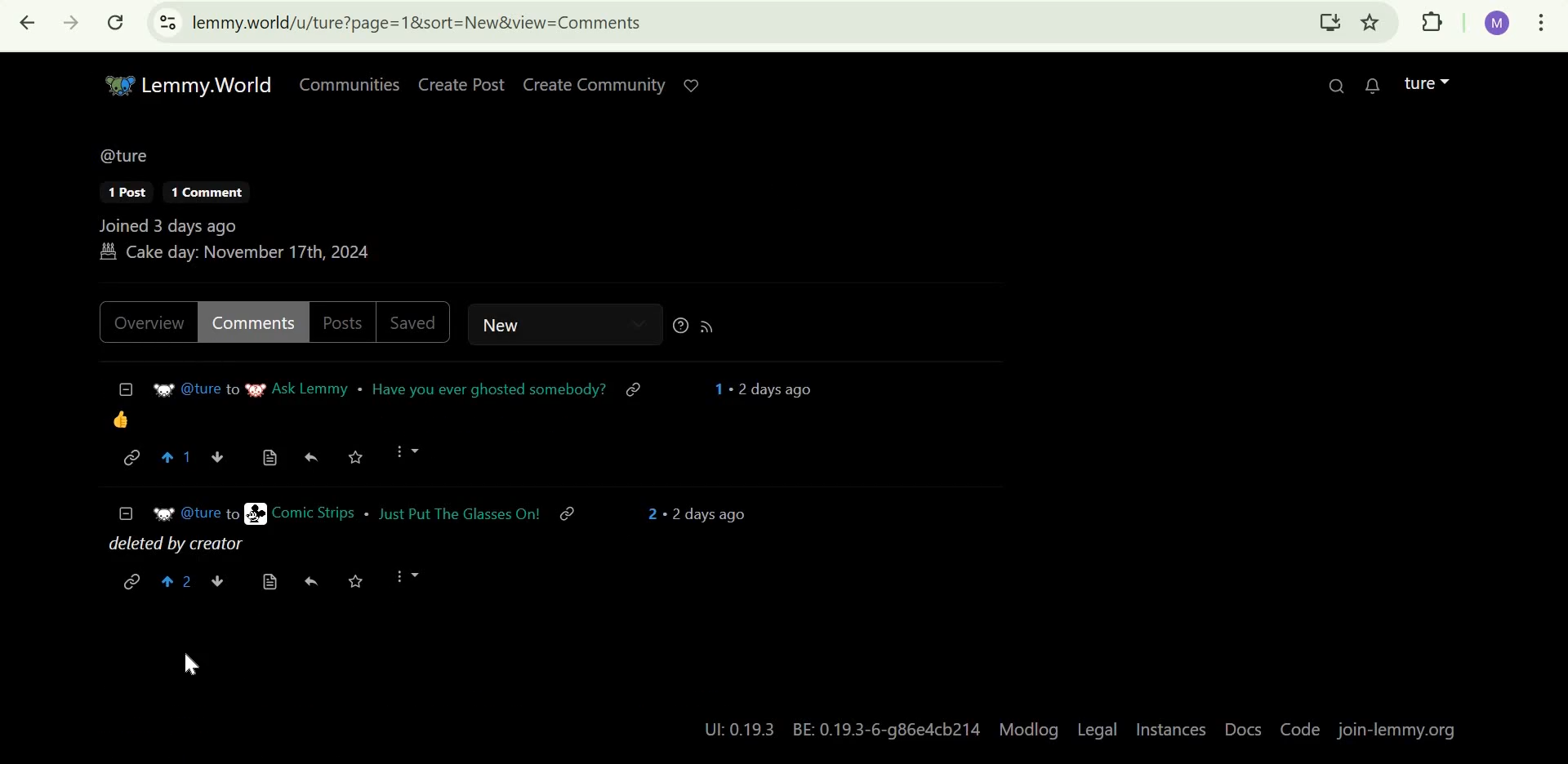 This screenshot has height=764, width=1568. I want to click on cursor, so click(190, 665).